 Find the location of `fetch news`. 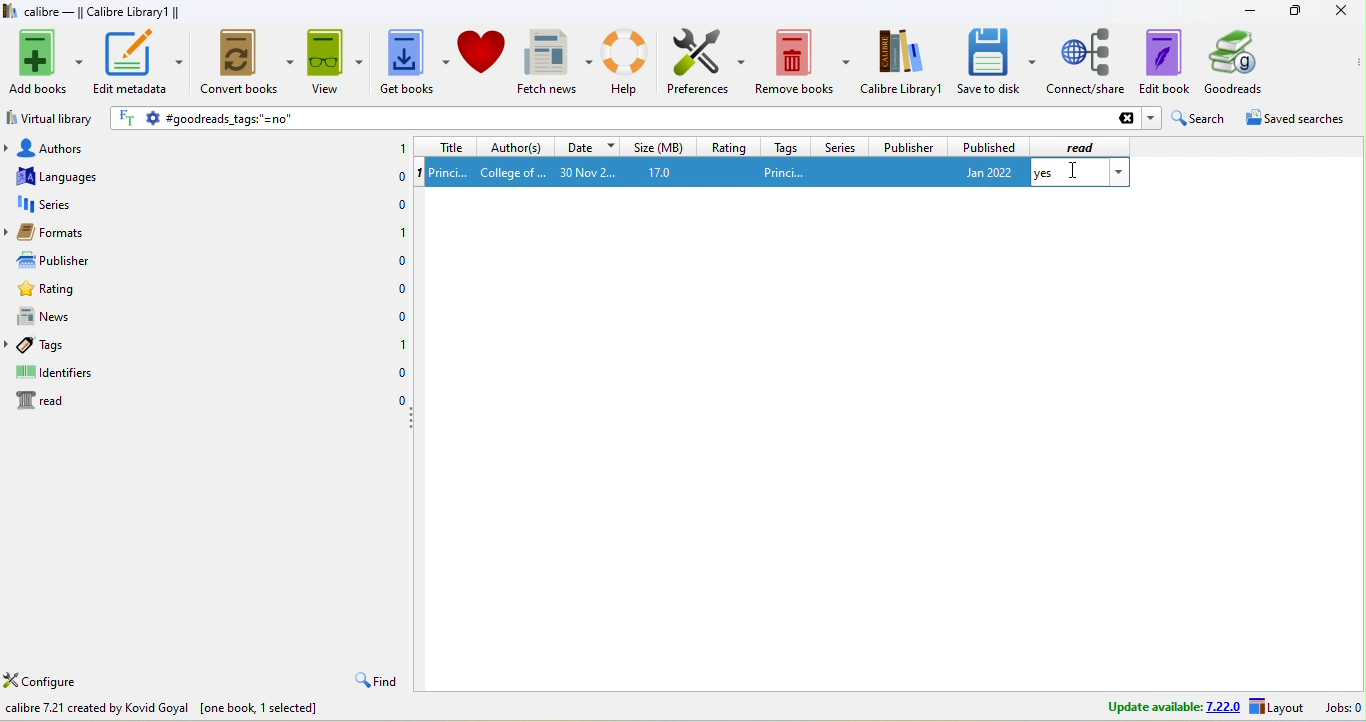

fetch news is located at coordinates (555, 61).